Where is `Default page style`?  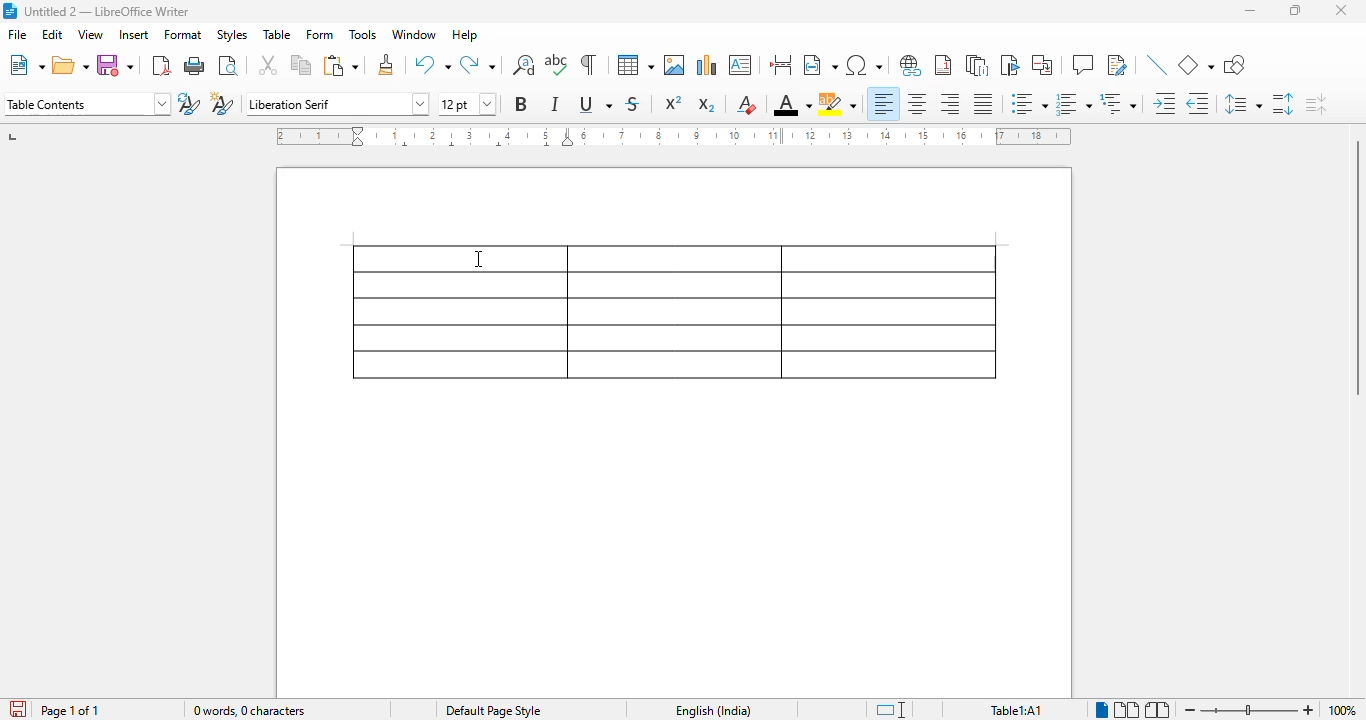
Default page style is located at coordinates (493, 710).